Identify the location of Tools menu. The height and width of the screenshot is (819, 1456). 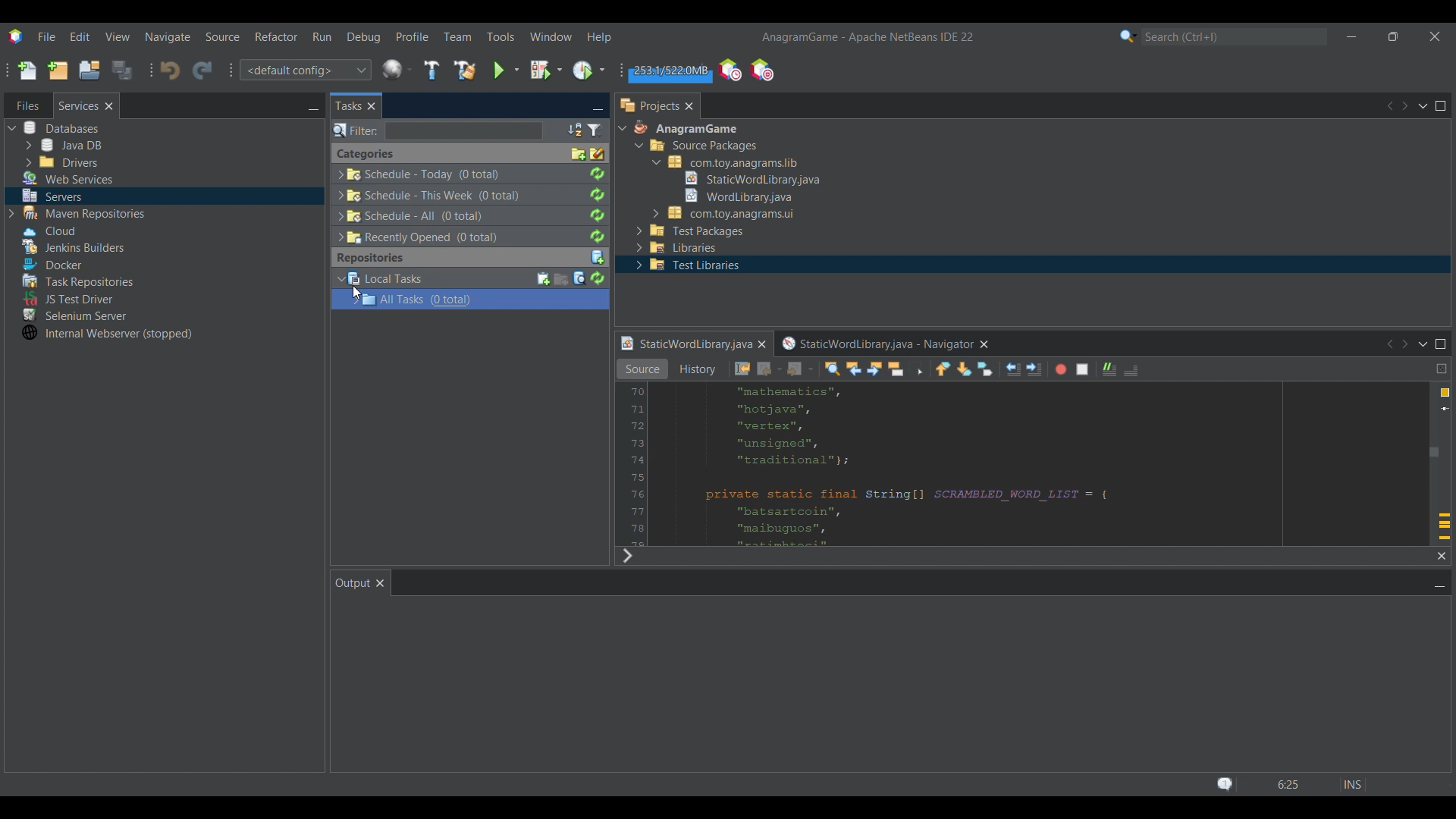
(500, 36).